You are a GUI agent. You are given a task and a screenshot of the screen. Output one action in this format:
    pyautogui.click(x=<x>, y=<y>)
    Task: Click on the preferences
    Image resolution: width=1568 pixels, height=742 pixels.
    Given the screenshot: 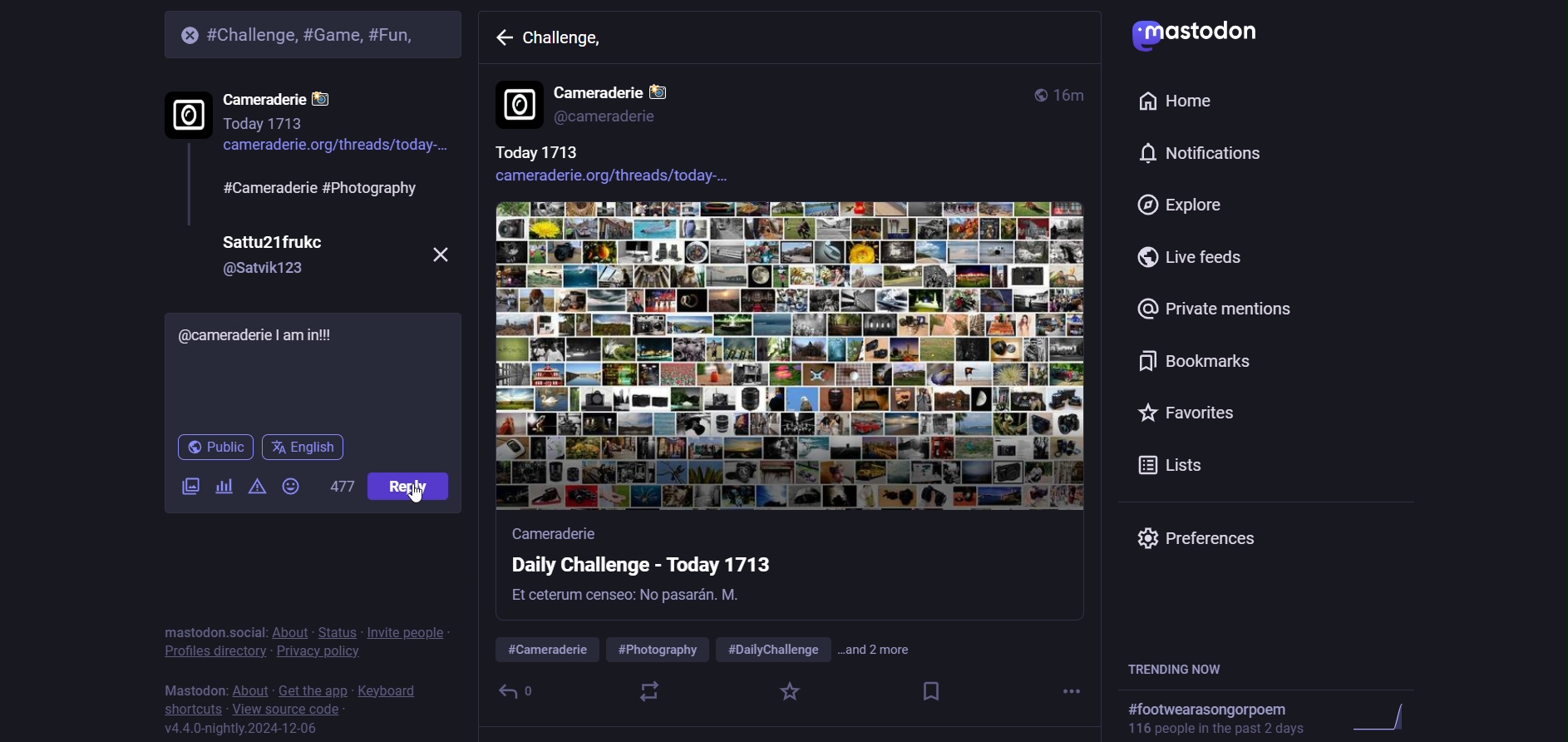 What is the action you would take?
    pyautogui.click(x=1206, y=537)
    